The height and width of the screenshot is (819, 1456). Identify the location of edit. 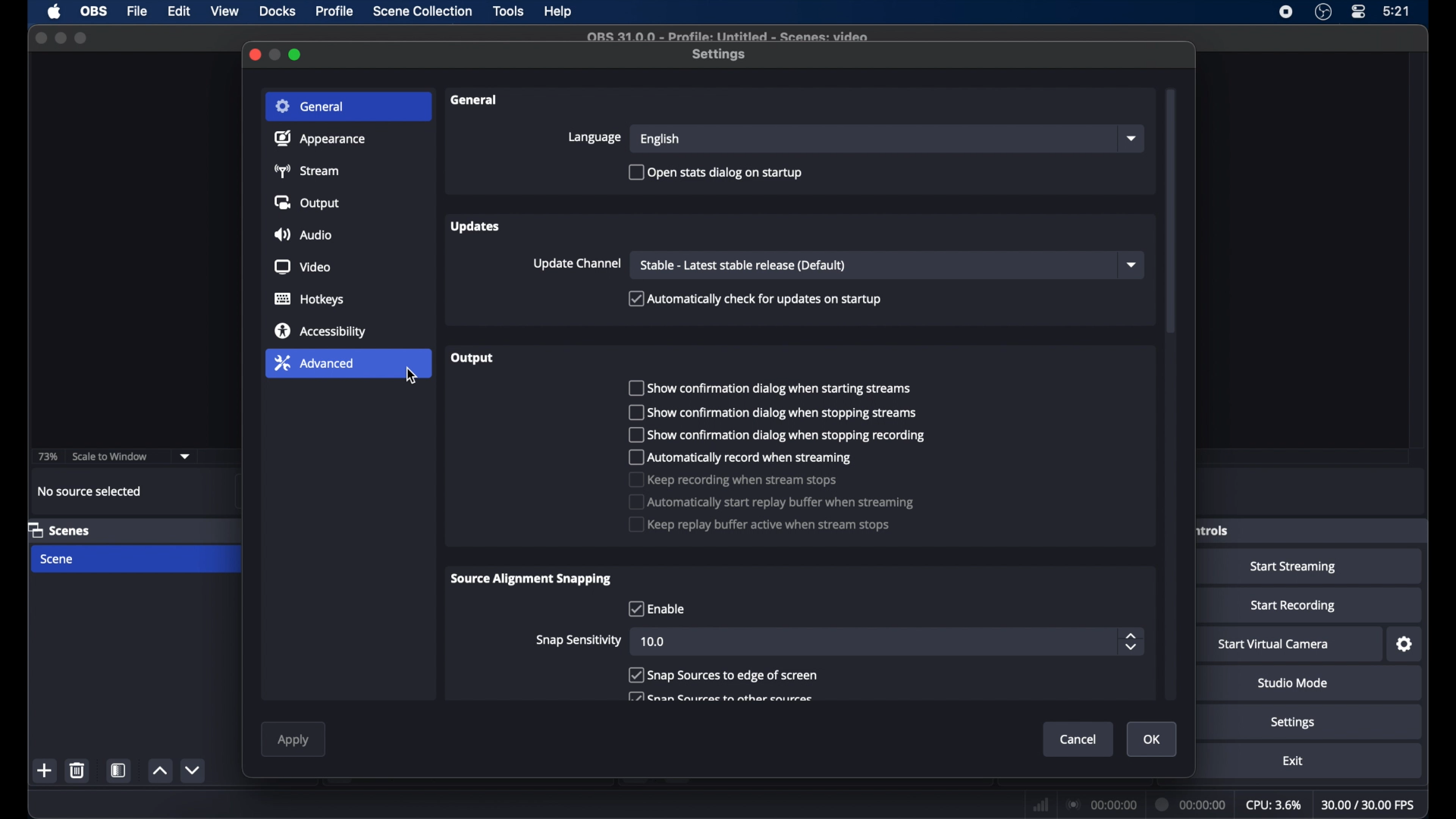
(178, 12).